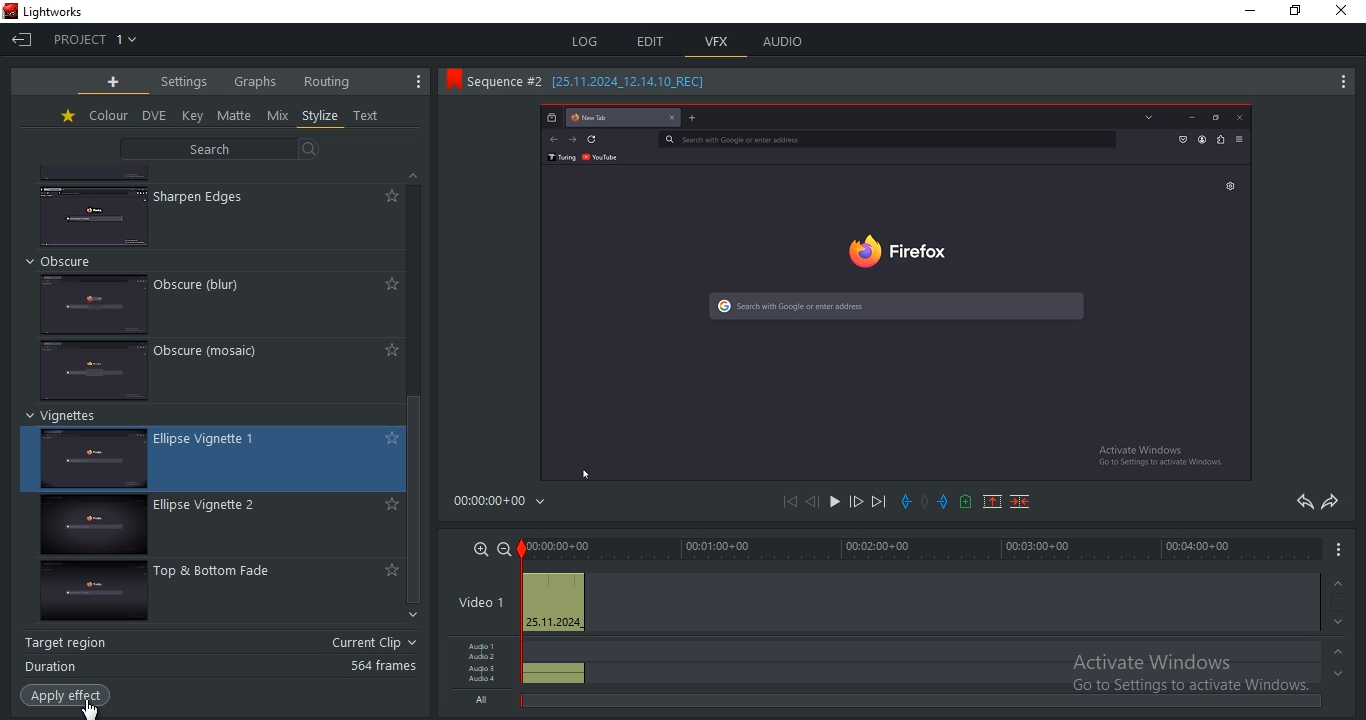  Describe the element at coordinates (72, 261) in the screenshot. I see `Obscure dropdown menu` at that location.